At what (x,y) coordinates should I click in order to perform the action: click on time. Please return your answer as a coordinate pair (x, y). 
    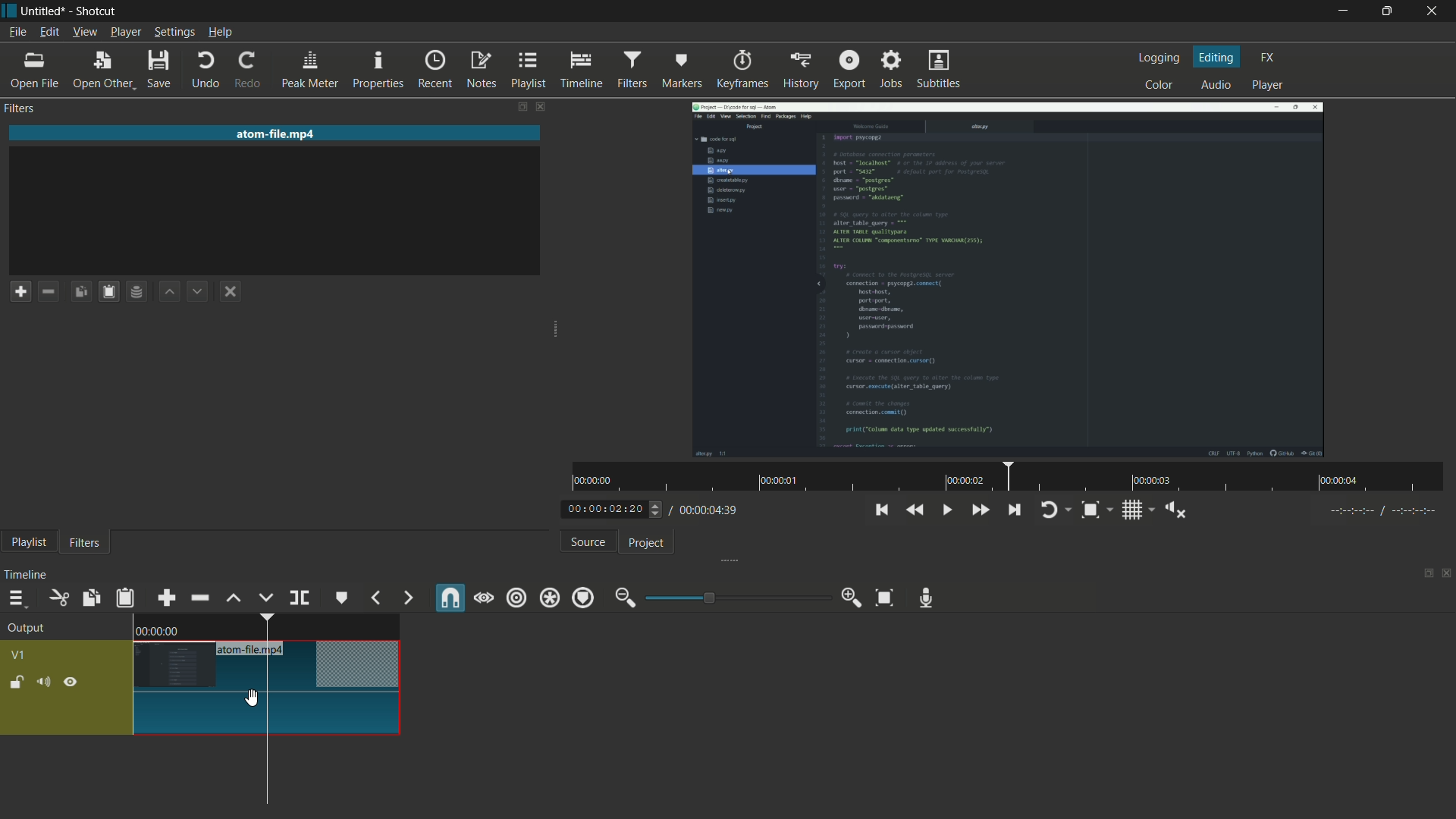
    Looking at the image, I should click on (1012, 477).